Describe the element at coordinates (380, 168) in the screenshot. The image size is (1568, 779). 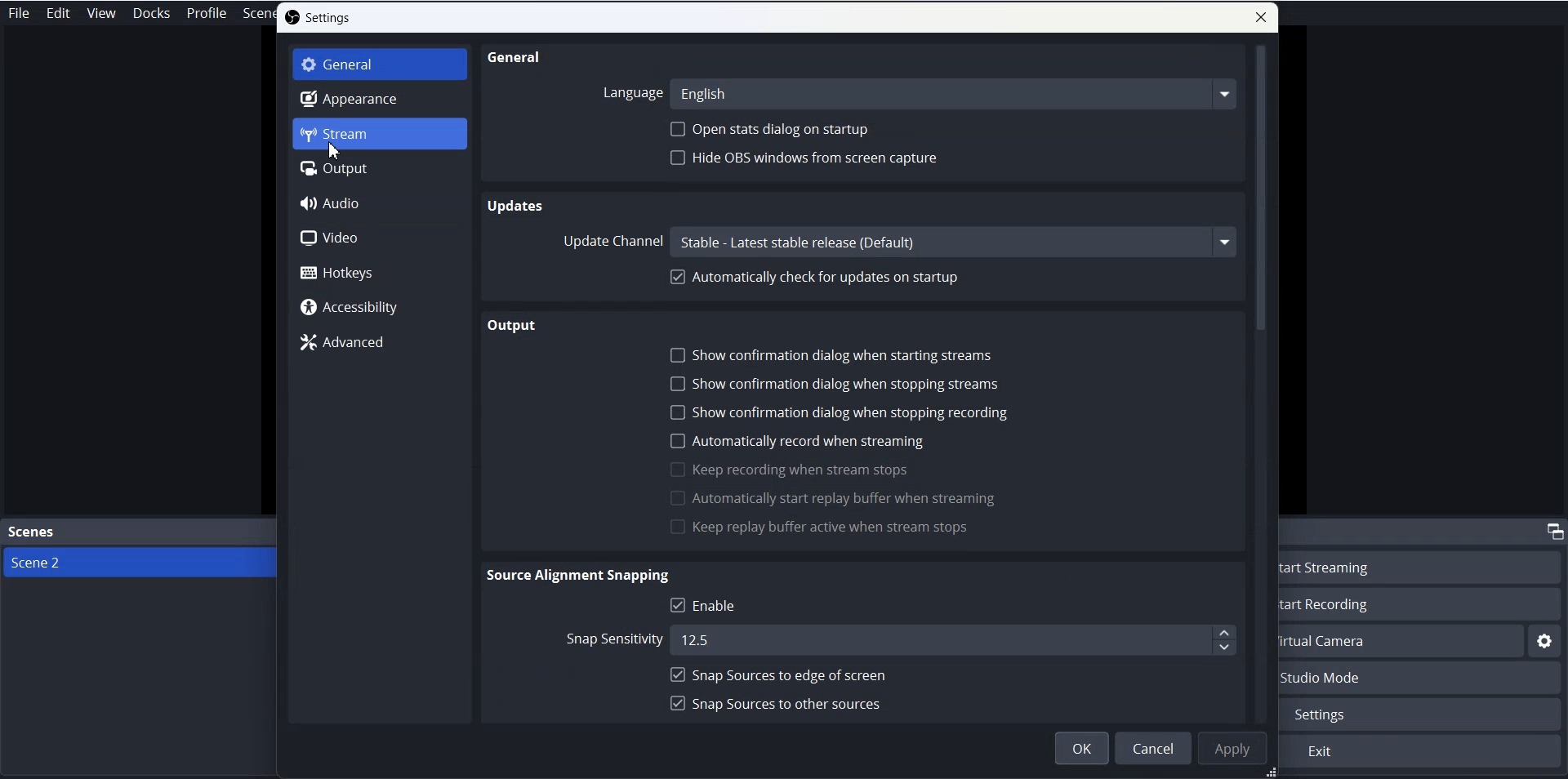
I see `Output` at that location.